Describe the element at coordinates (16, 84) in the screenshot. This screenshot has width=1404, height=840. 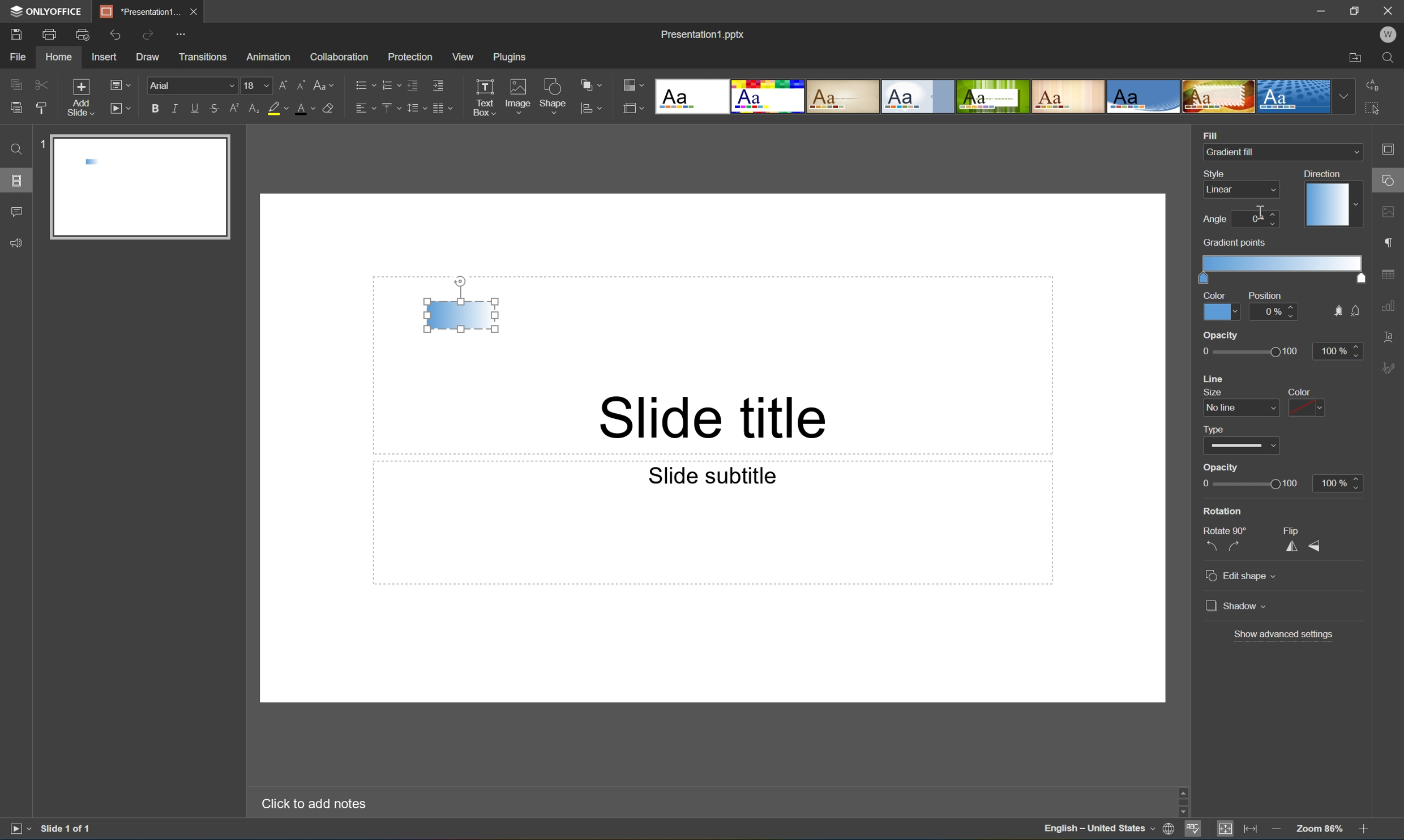
I see `Copy` at that location.